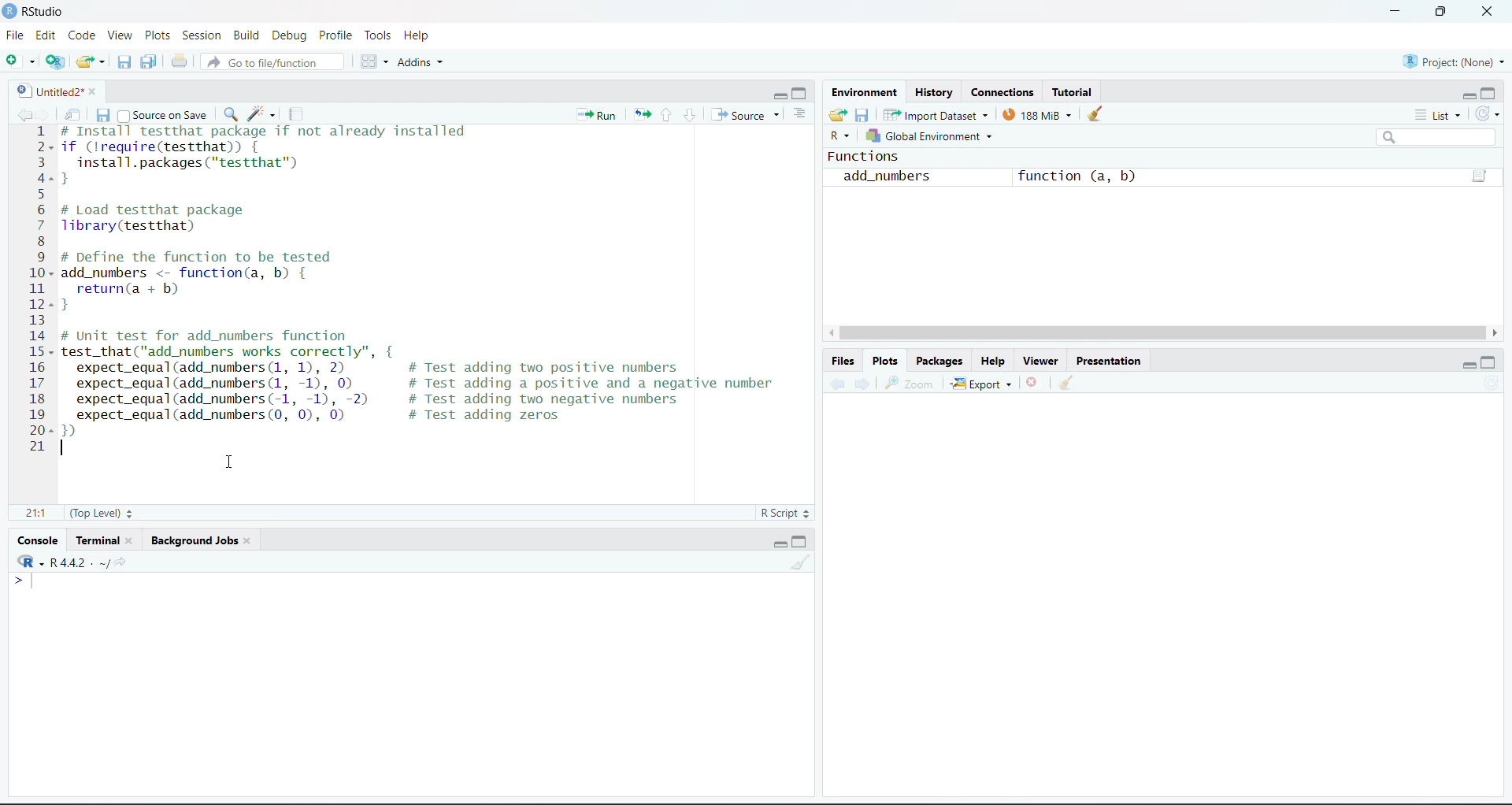  Describe the element at coordinates (1038, 115) in the screenshot. I see `188 Mib` at that location.